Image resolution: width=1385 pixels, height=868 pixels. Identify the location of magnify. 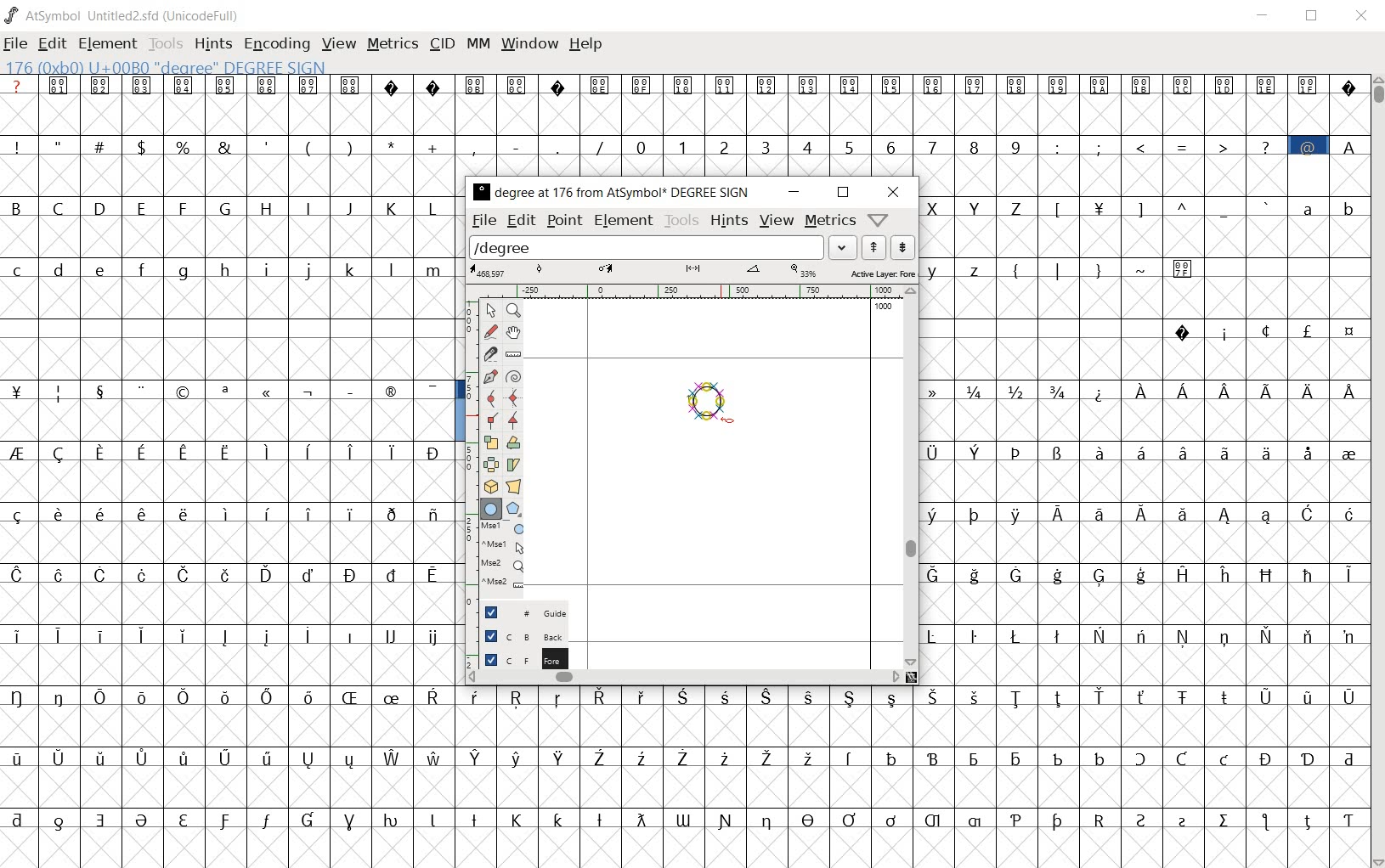
(512, 310).